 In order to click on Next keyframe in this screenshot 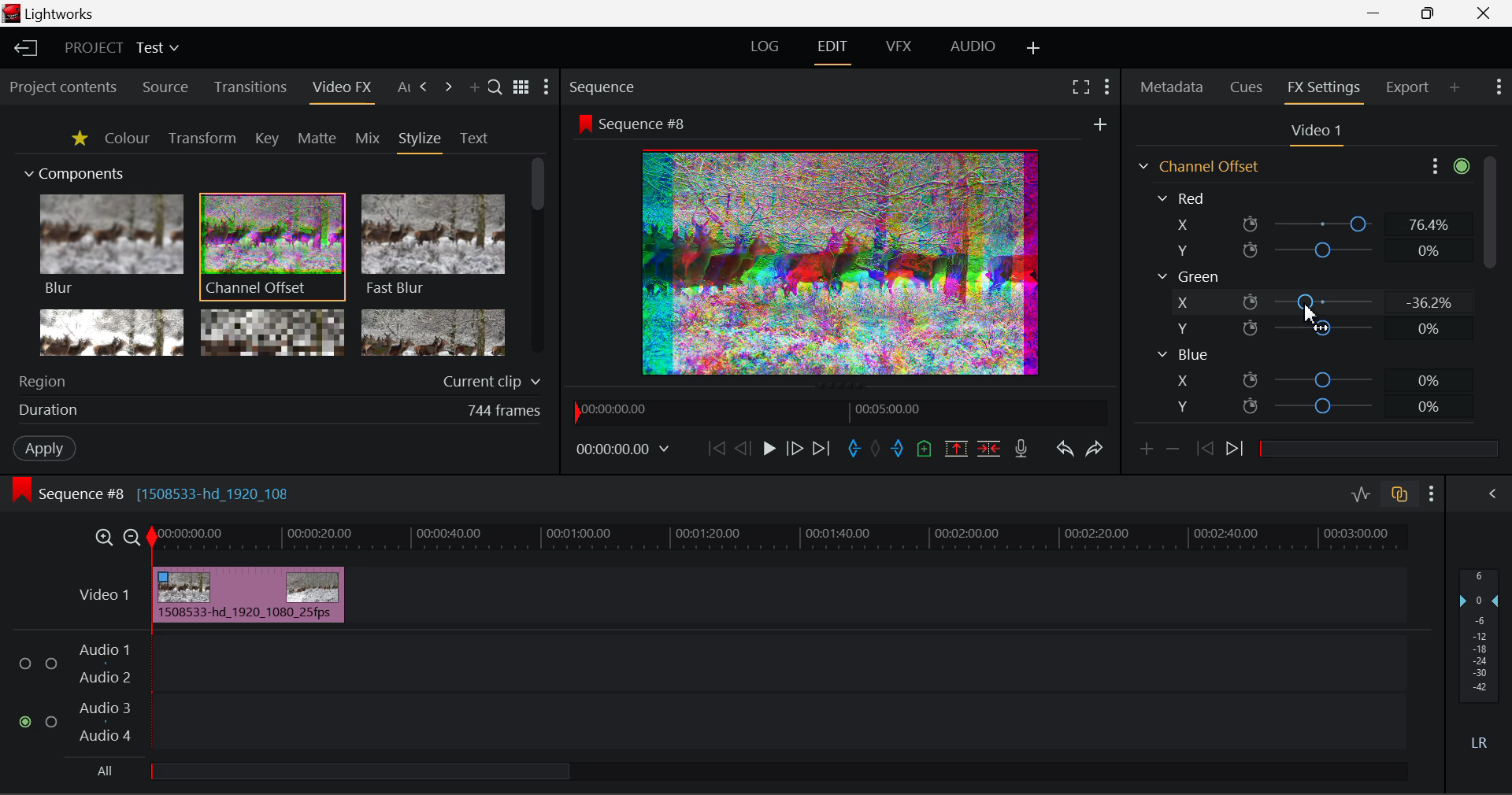, I will do `click(1237, 451)`.